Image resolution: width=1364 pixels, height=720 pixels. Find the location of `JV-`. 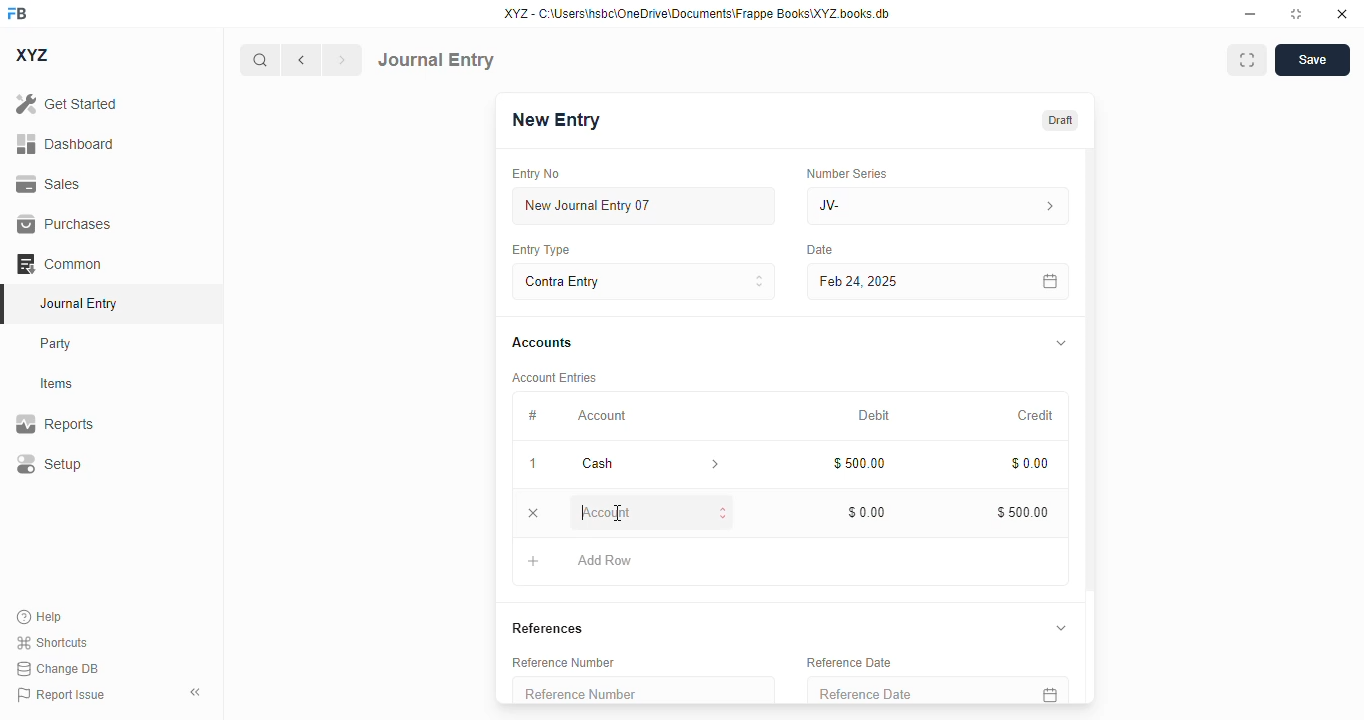

JV- is located at coordinates (938, 206).